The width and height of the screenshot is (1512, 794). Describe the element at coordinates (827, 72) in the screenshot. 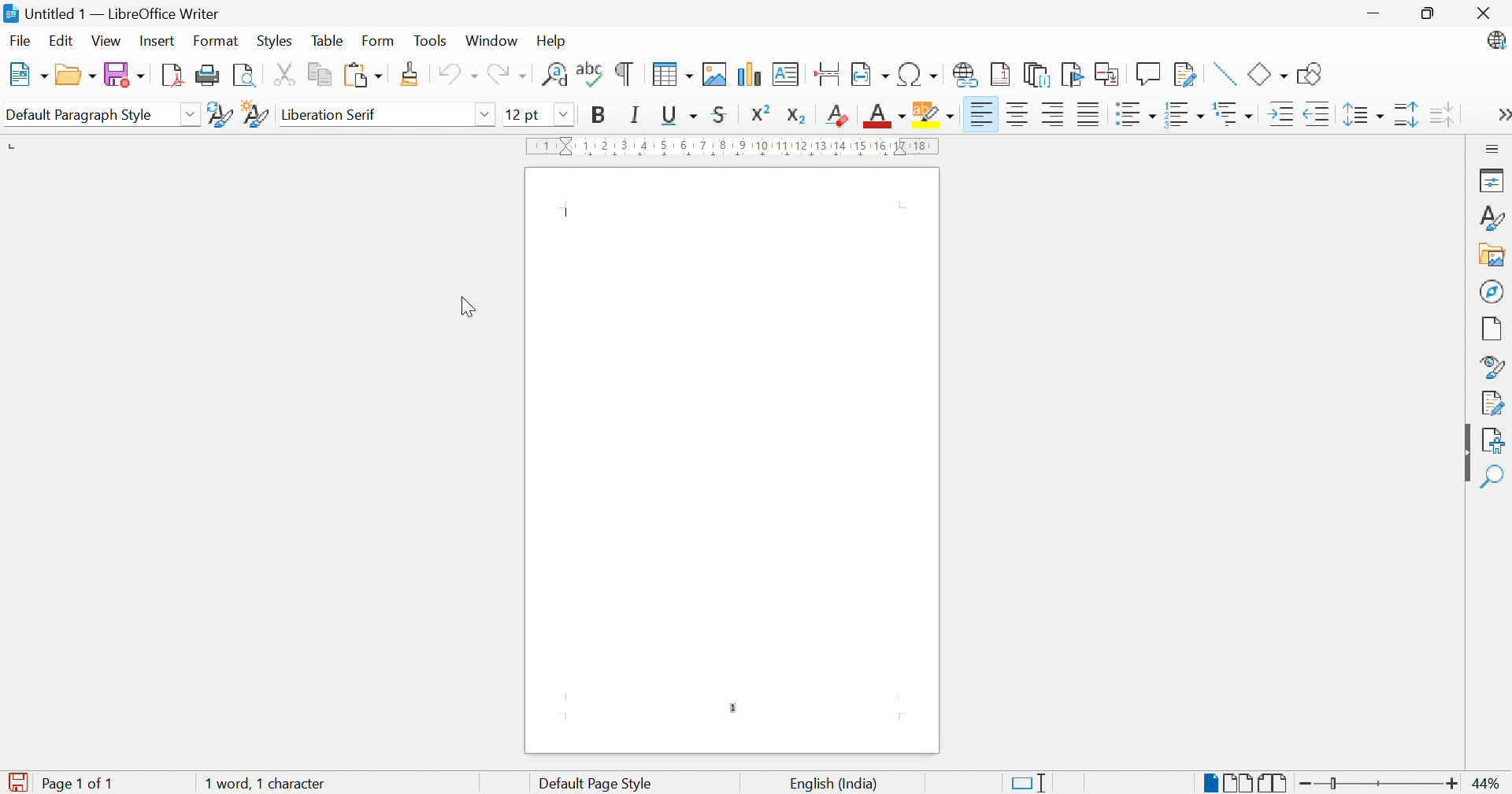

I see `Insert page break` at that location.